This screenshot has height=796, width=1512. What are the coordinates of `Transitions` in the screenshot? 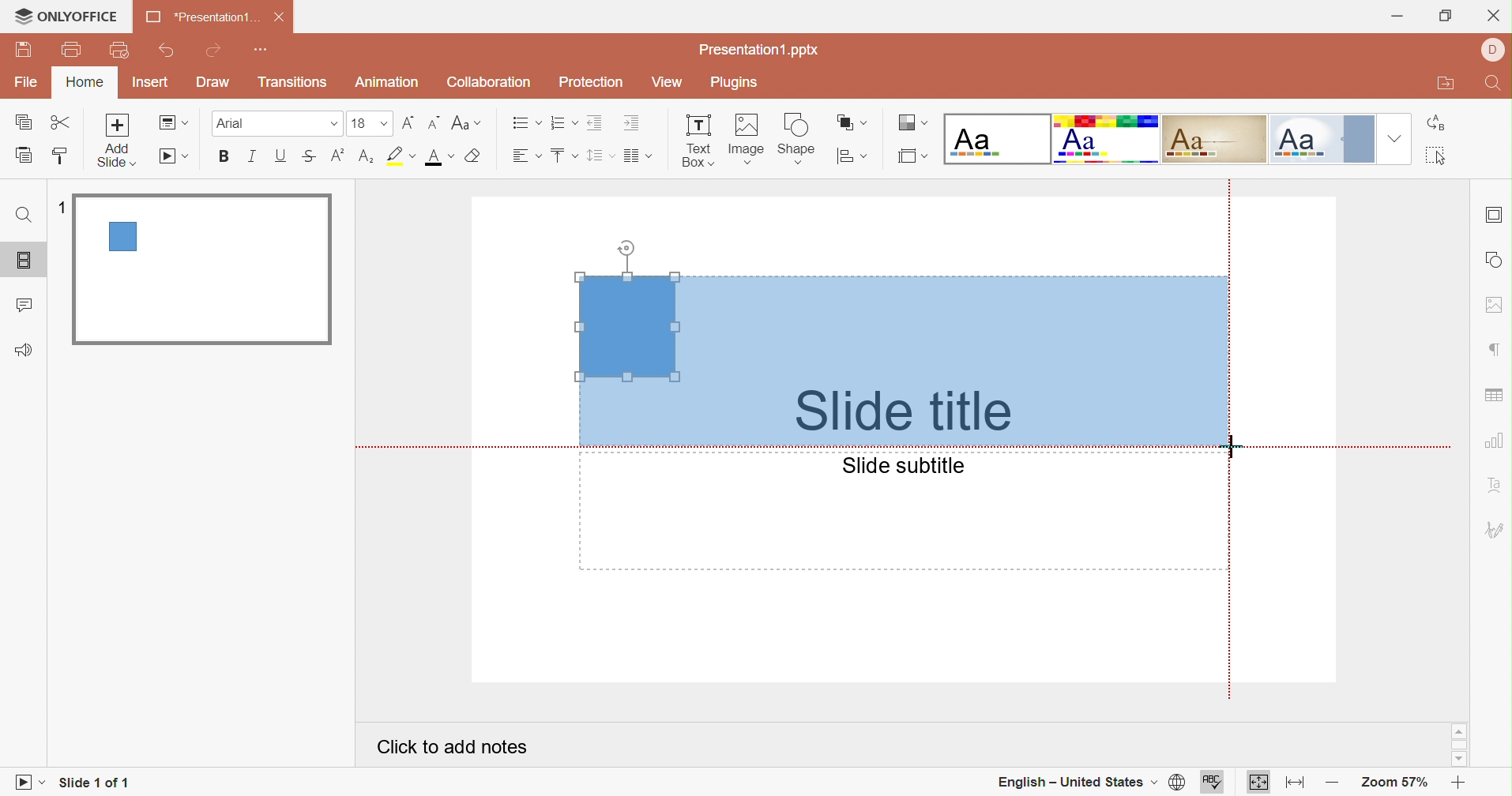 It's located at (294, 82).